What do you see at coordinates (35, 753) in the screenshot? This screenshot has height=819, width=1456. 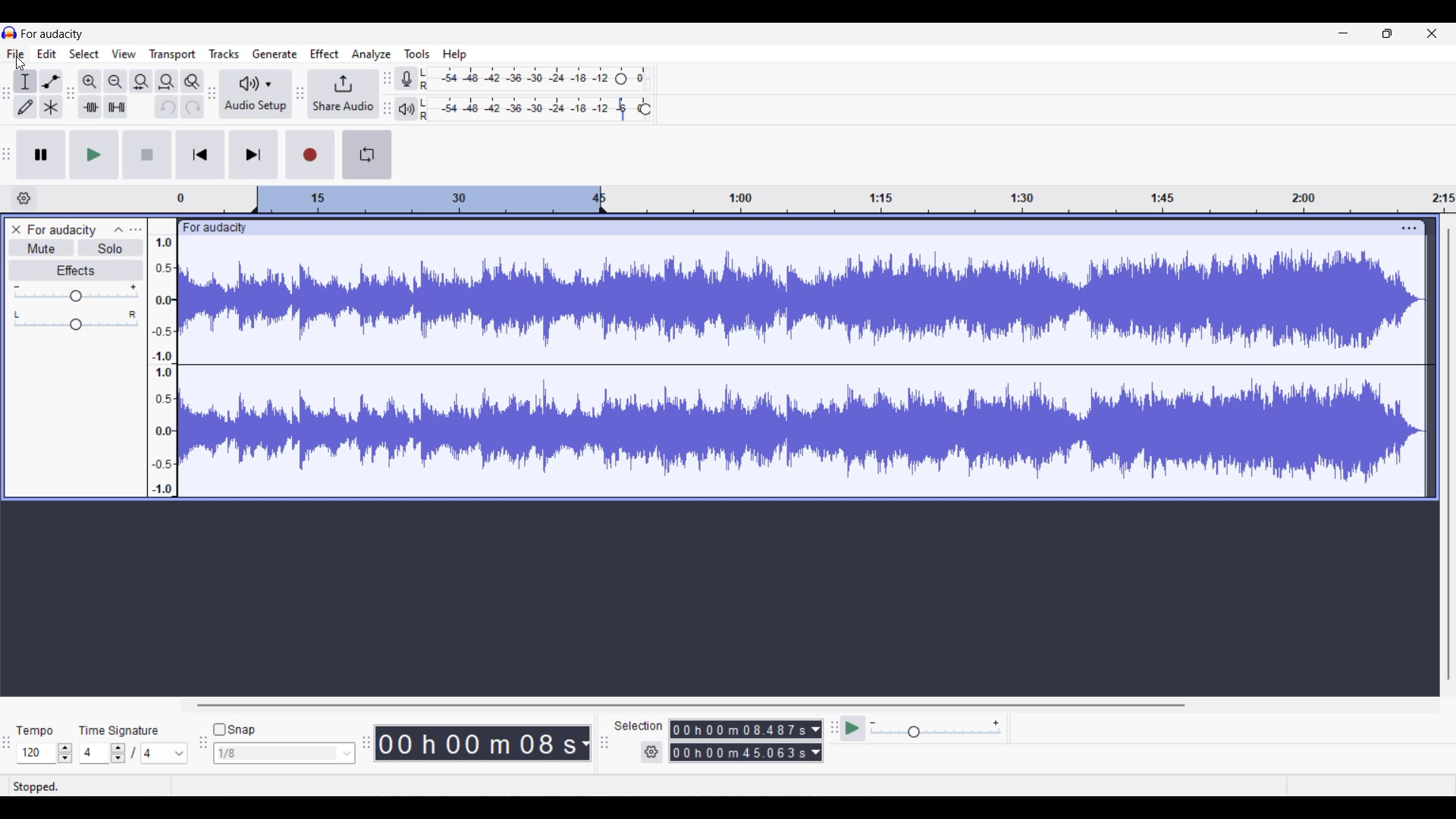 I see `Tempo options` at bounding box center [35, 753].